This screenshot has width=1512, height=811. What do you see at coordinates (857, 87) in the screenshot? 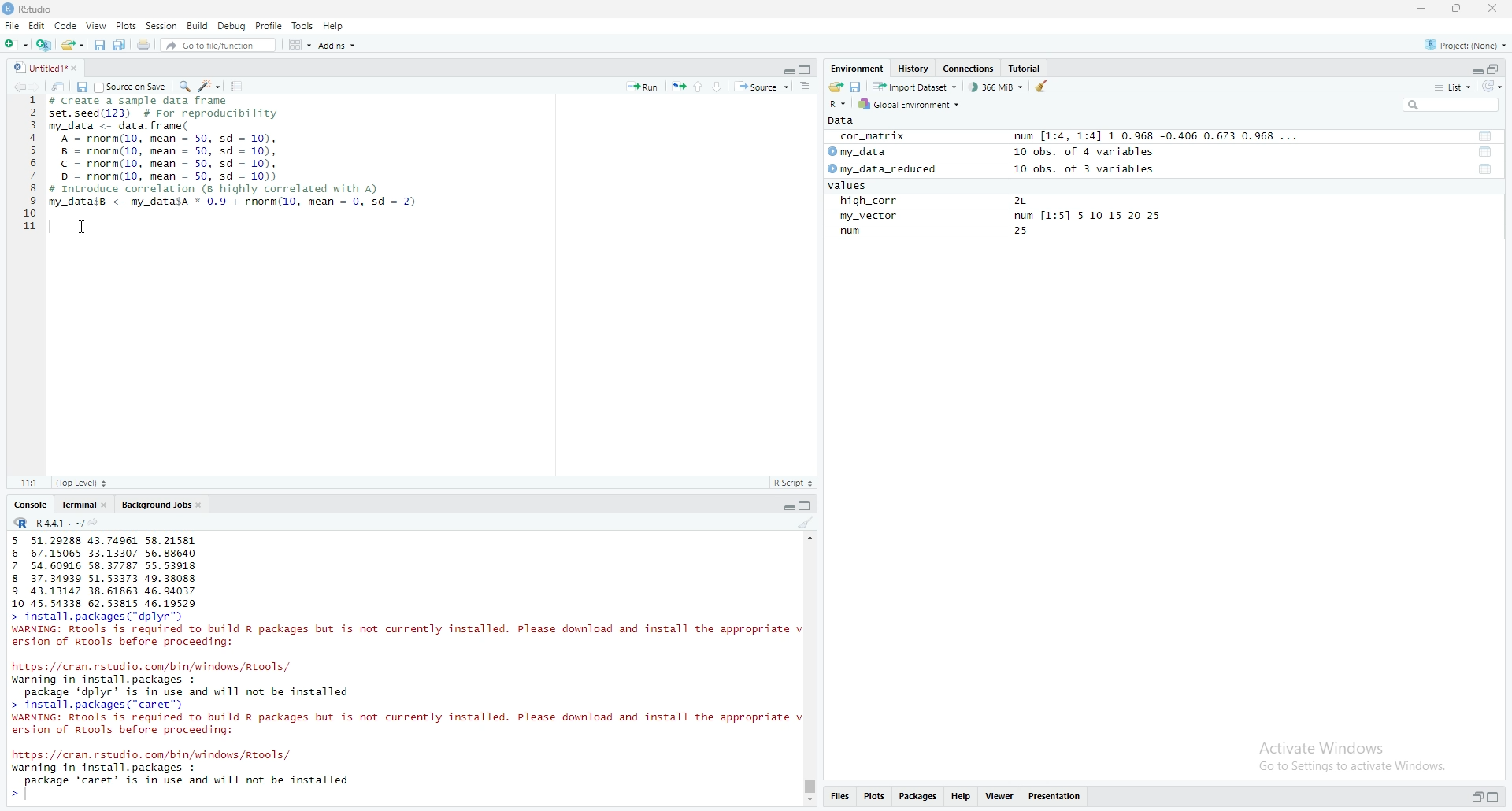
I see `save` at bounding box center [857, 87].